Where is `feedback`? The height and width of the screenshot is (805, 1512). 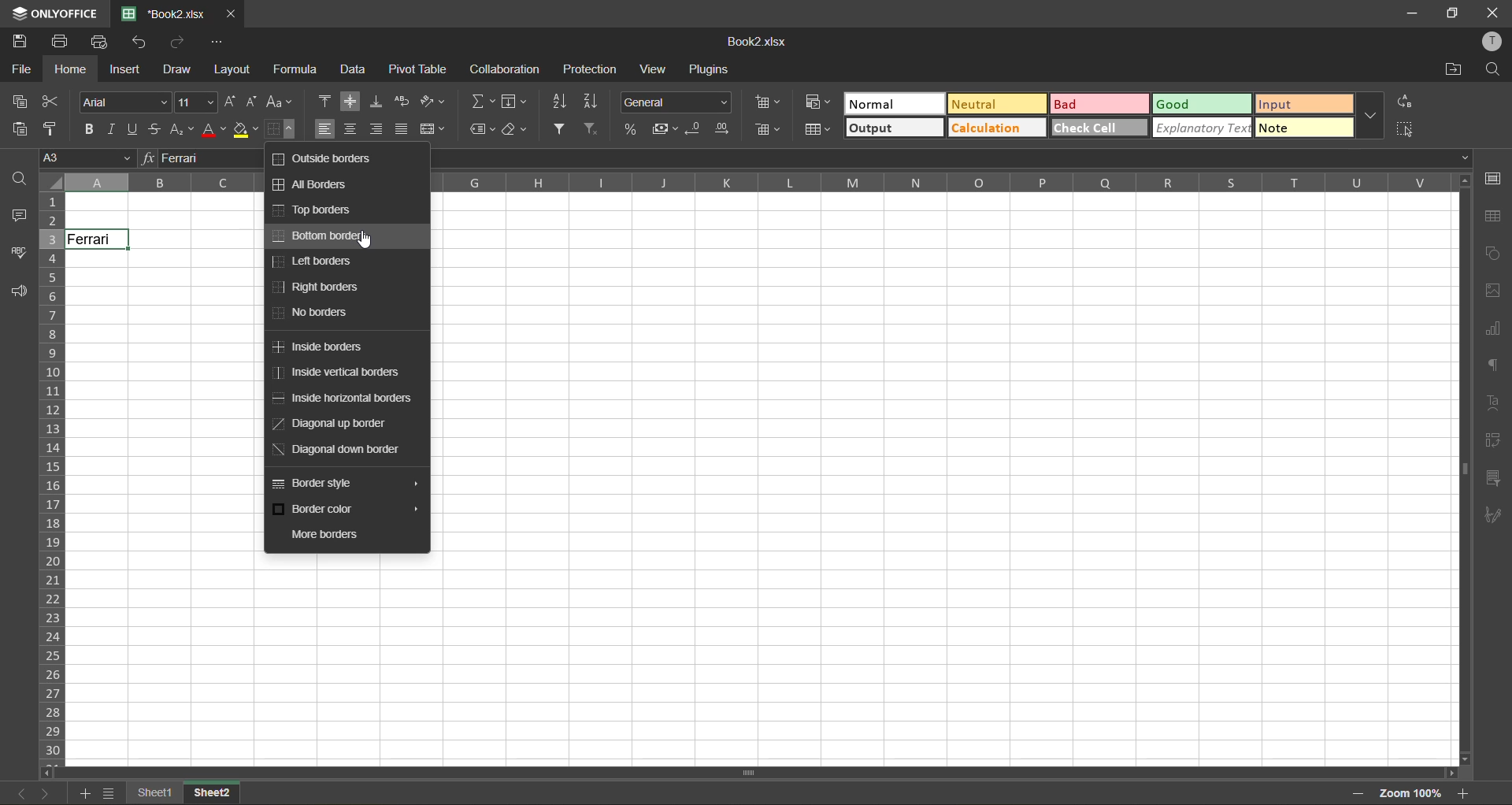
feedback is located at coordinates (24, 291).